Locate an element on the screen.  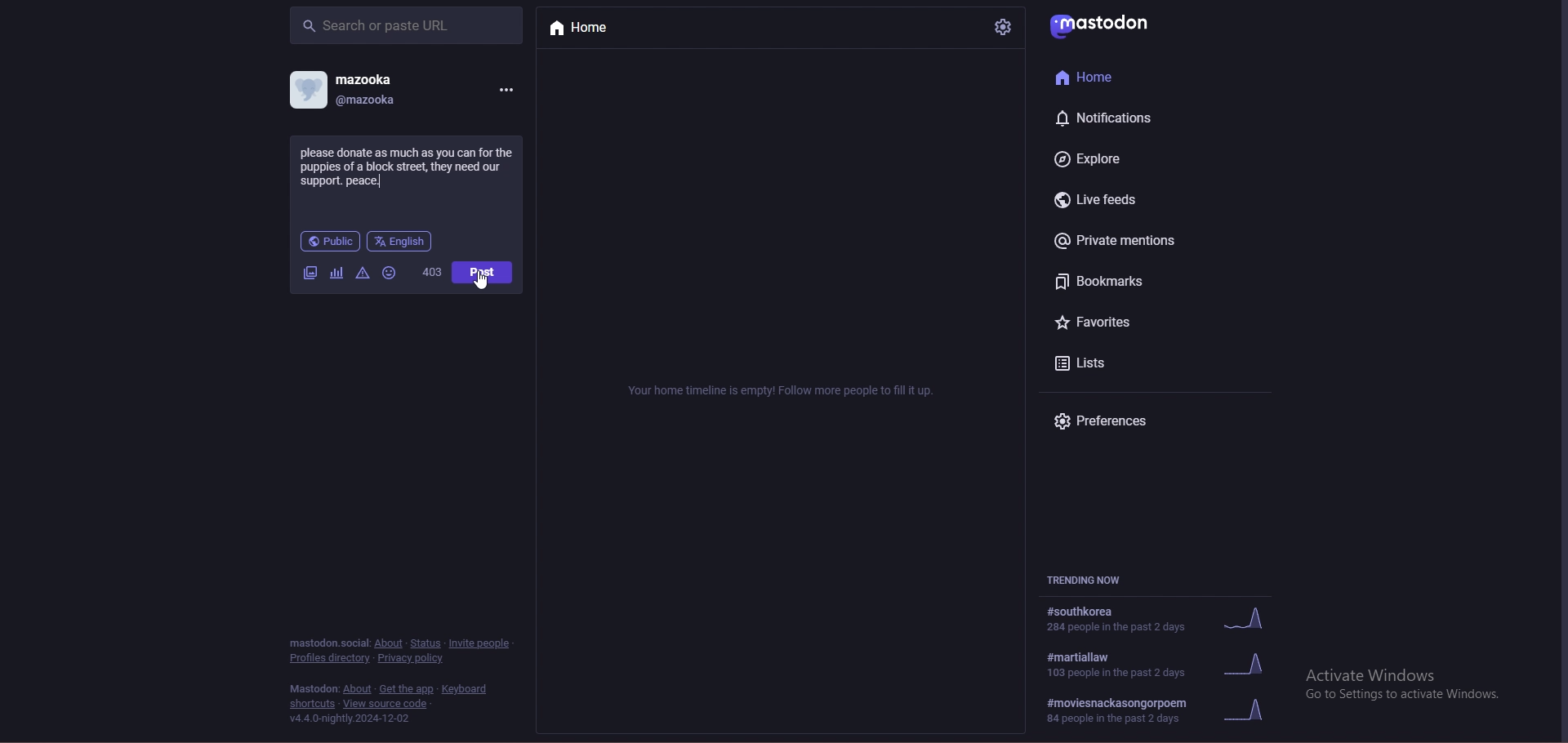
@mazooka is located at coordinates (381, 102).